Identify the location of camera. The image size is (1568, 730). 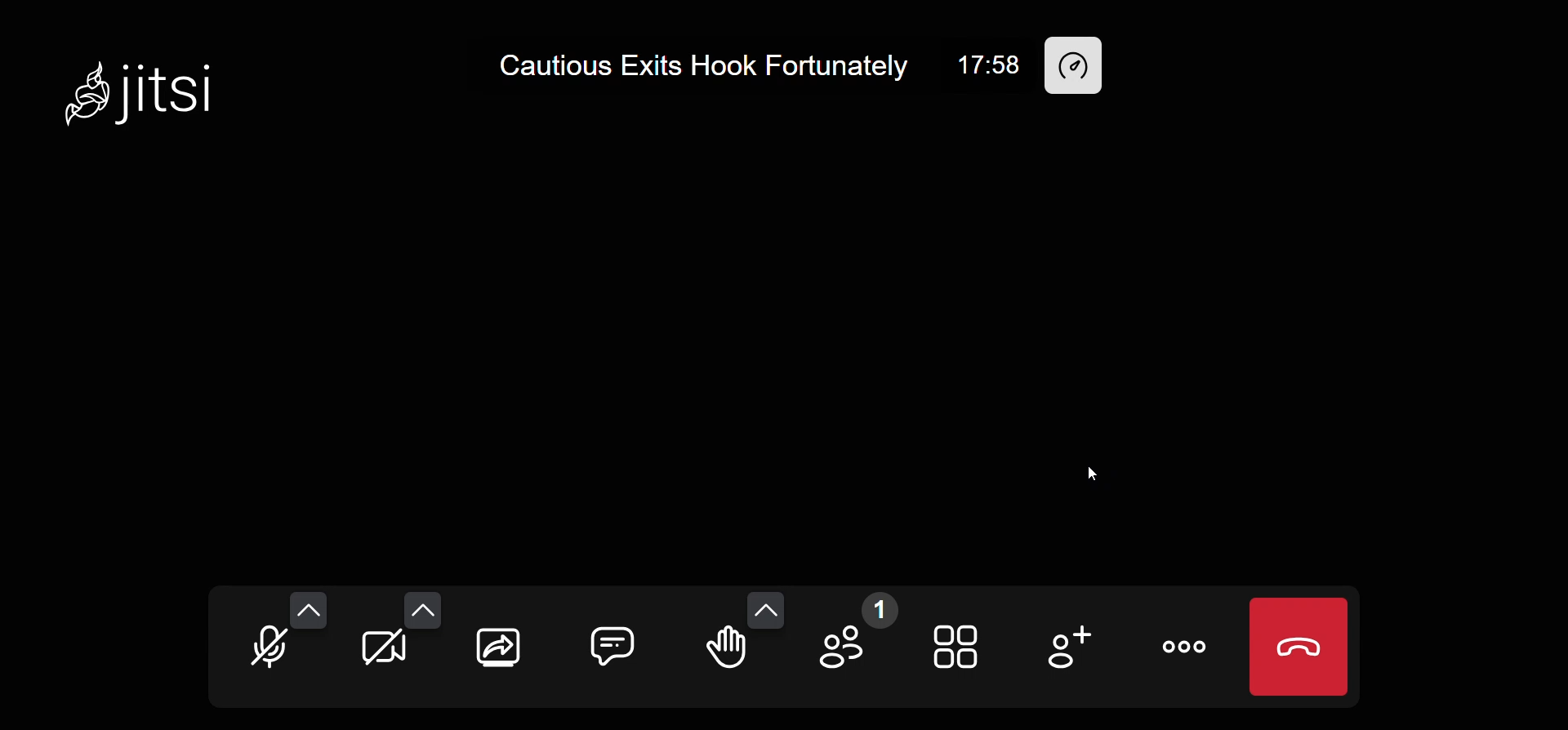
(383, 651).